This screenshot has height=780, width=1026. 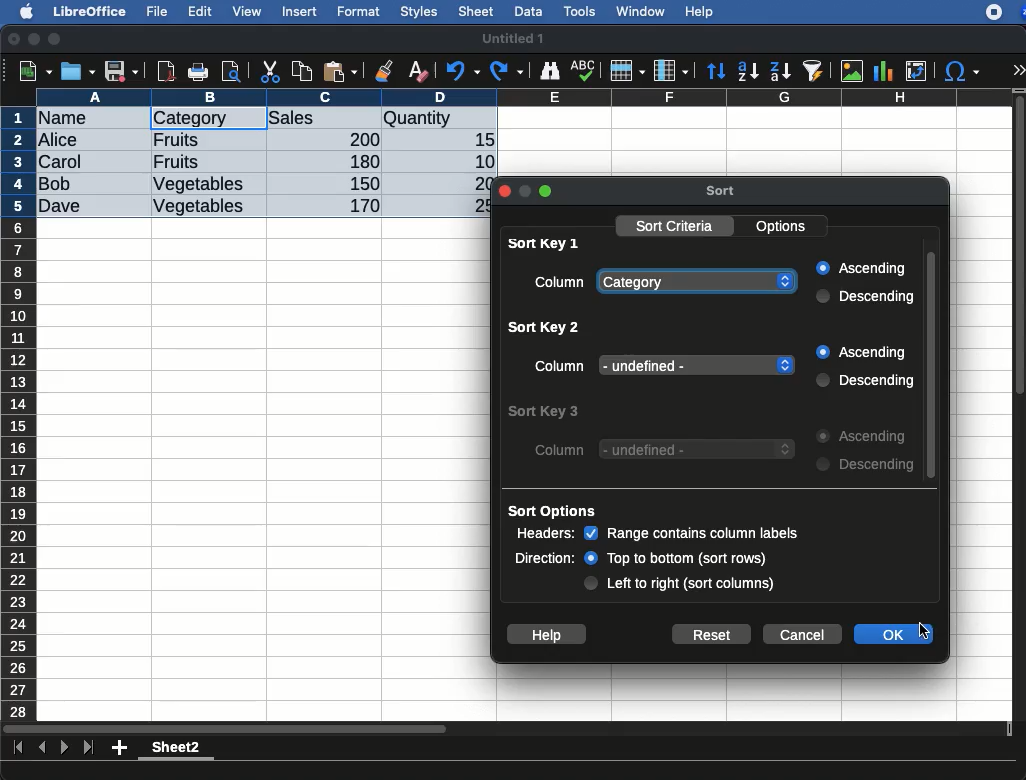 I want to click on quantity, so click(x=439, y=120).